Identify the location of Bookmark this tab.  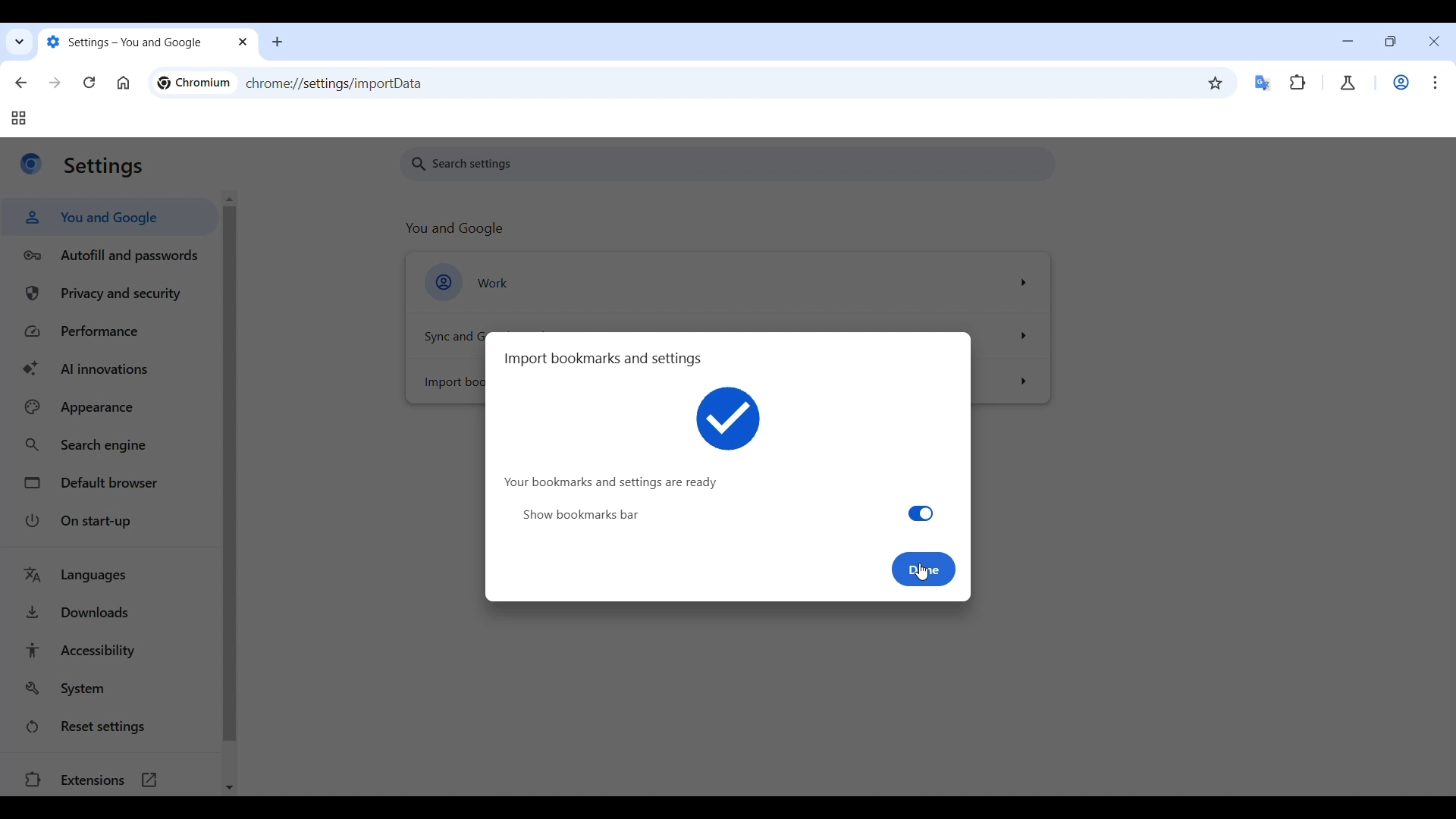
(1216, 83).